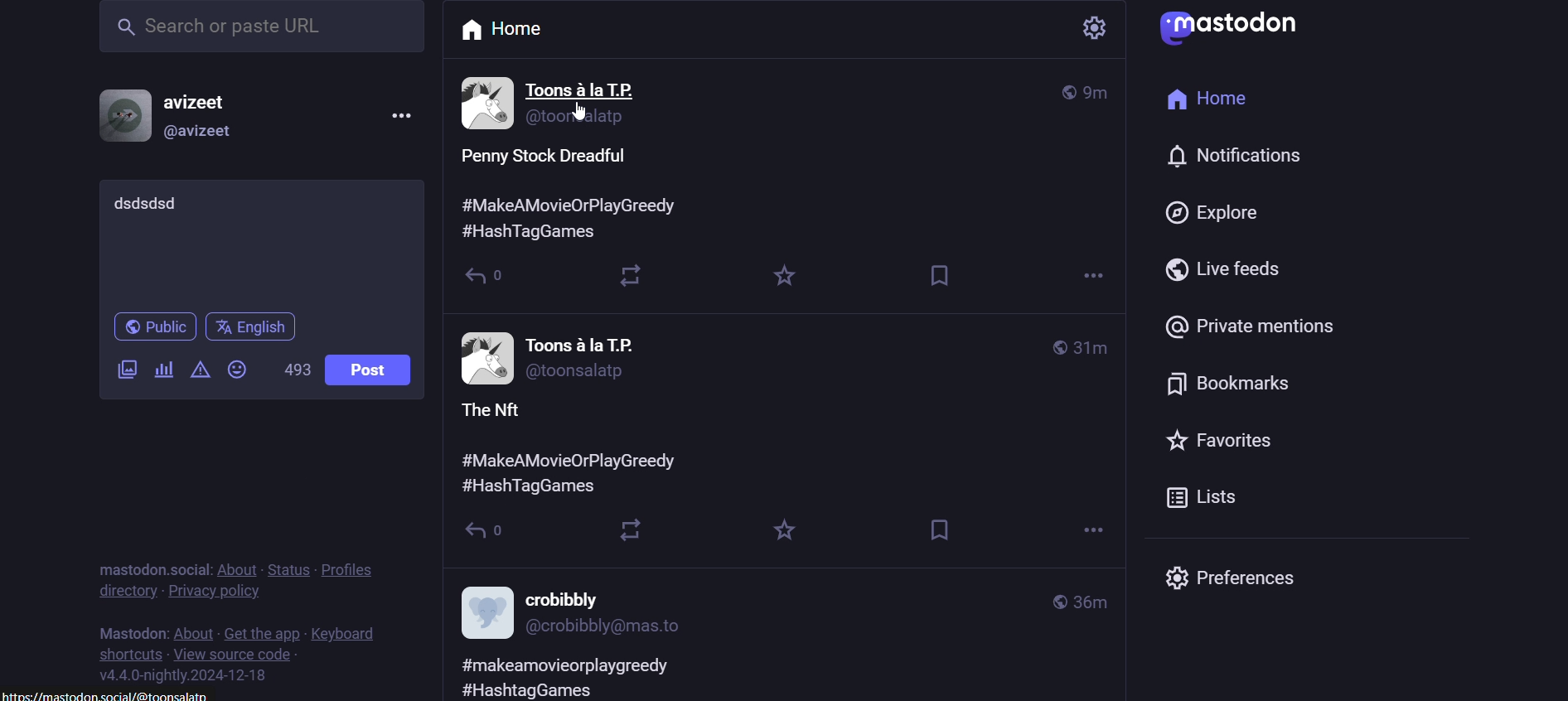 This screenshot has height=701, width=1568. I want to click on boost, so click(632, 274).